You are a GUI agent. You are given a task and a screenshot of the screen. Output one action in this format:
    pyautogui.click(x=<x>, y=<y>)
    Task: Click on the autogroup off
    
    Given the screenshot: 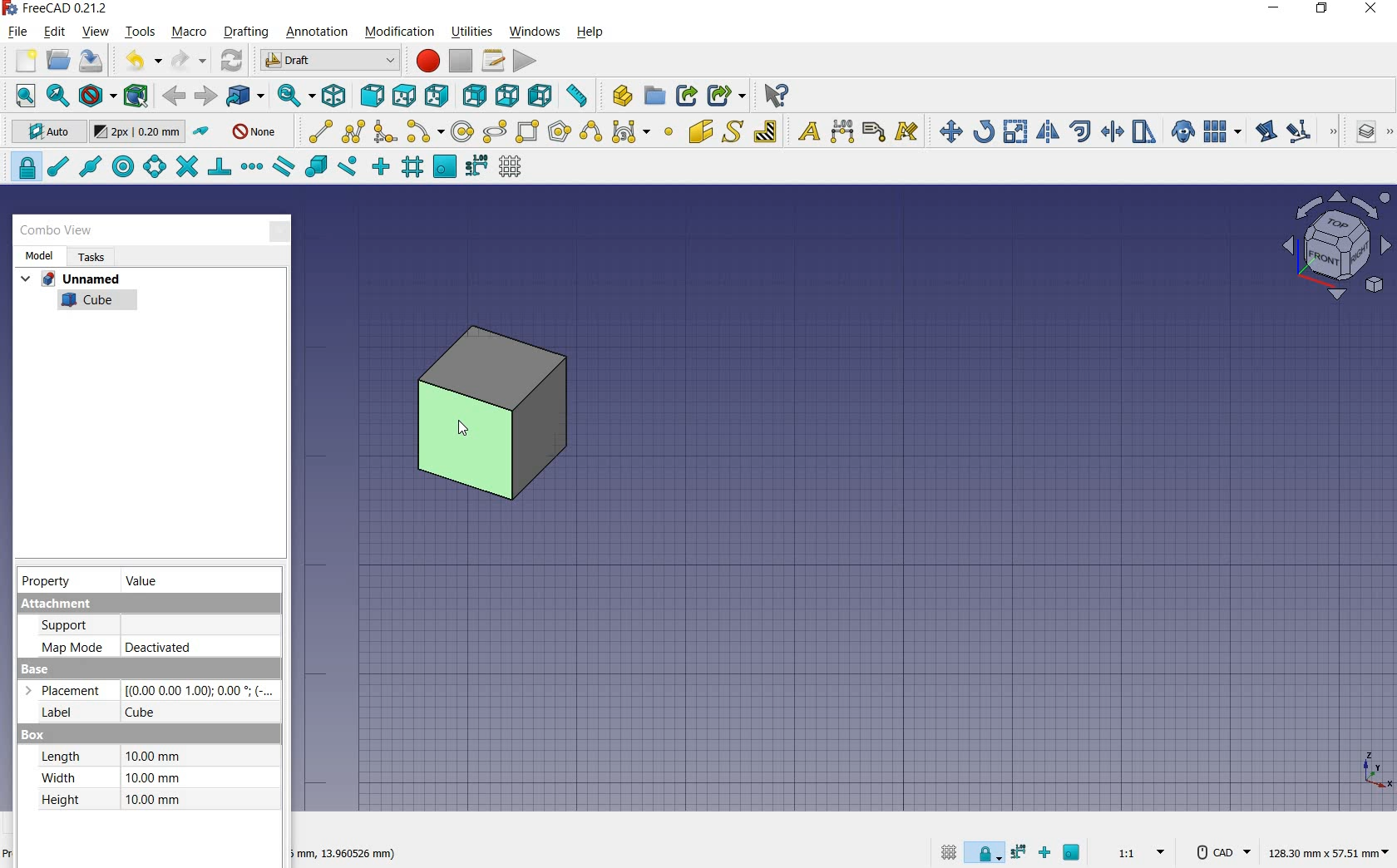 What is the action you would take?
    pyautogui.click(x=254, y=133)
    